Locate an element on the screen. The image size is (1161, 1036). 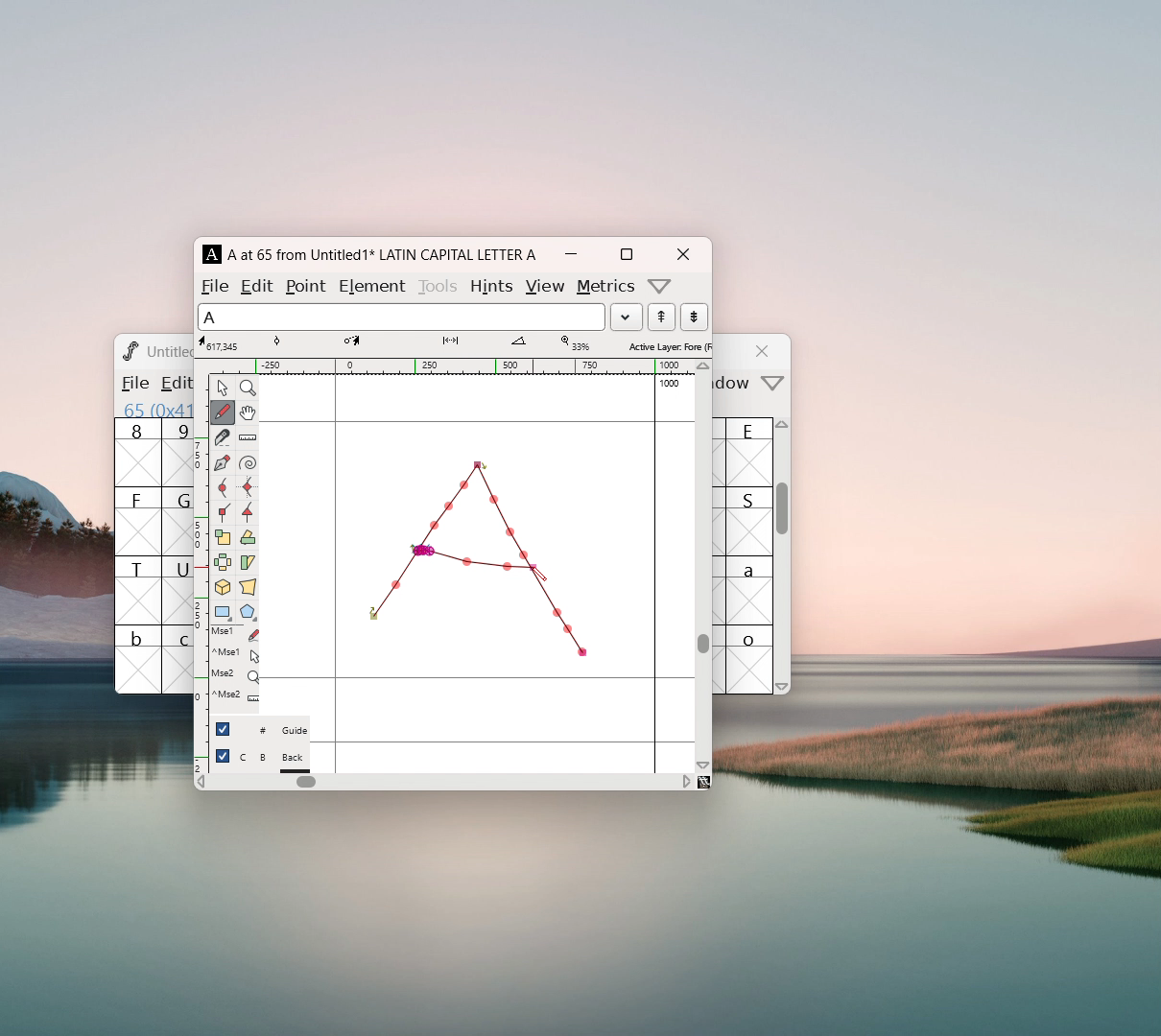
E is located at coordinates (750, 452).